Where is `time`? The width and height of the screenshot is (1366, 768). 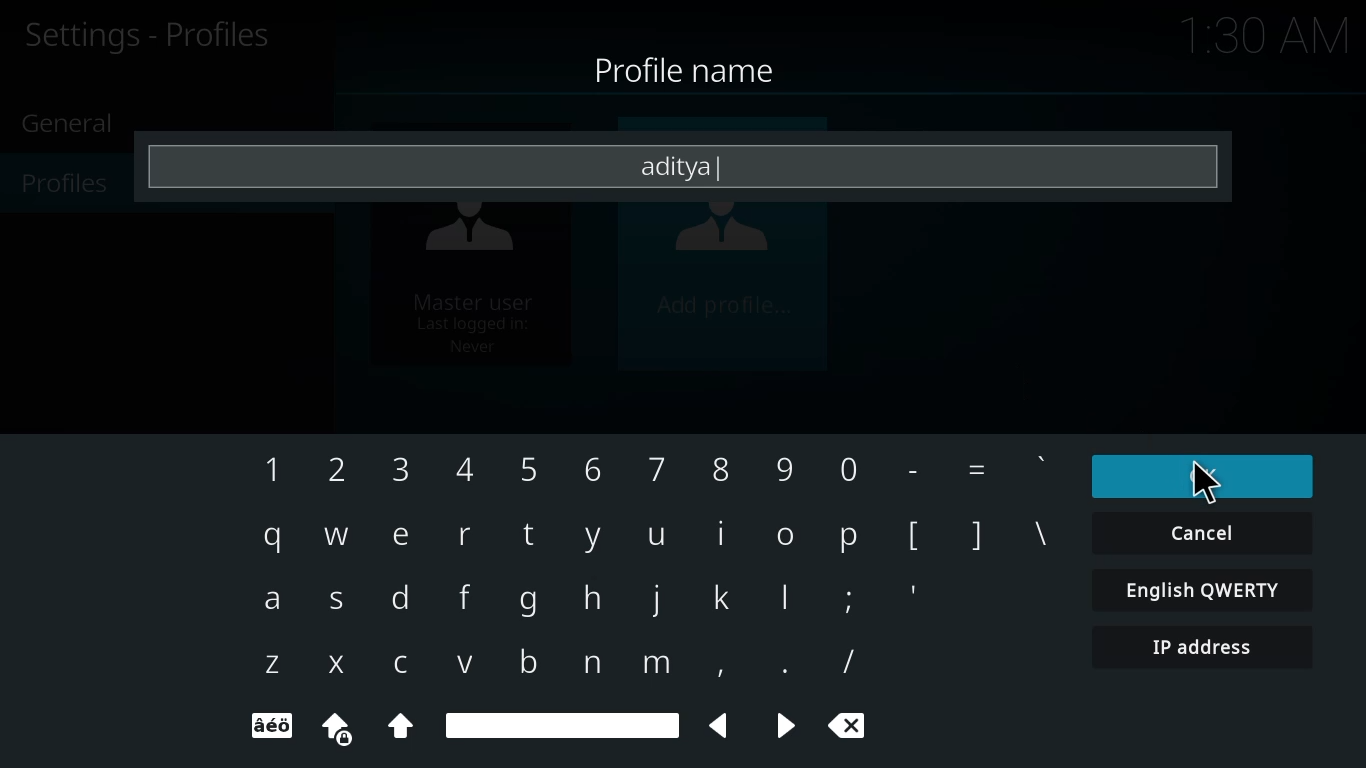
time is located at coordinates (1273, 35).